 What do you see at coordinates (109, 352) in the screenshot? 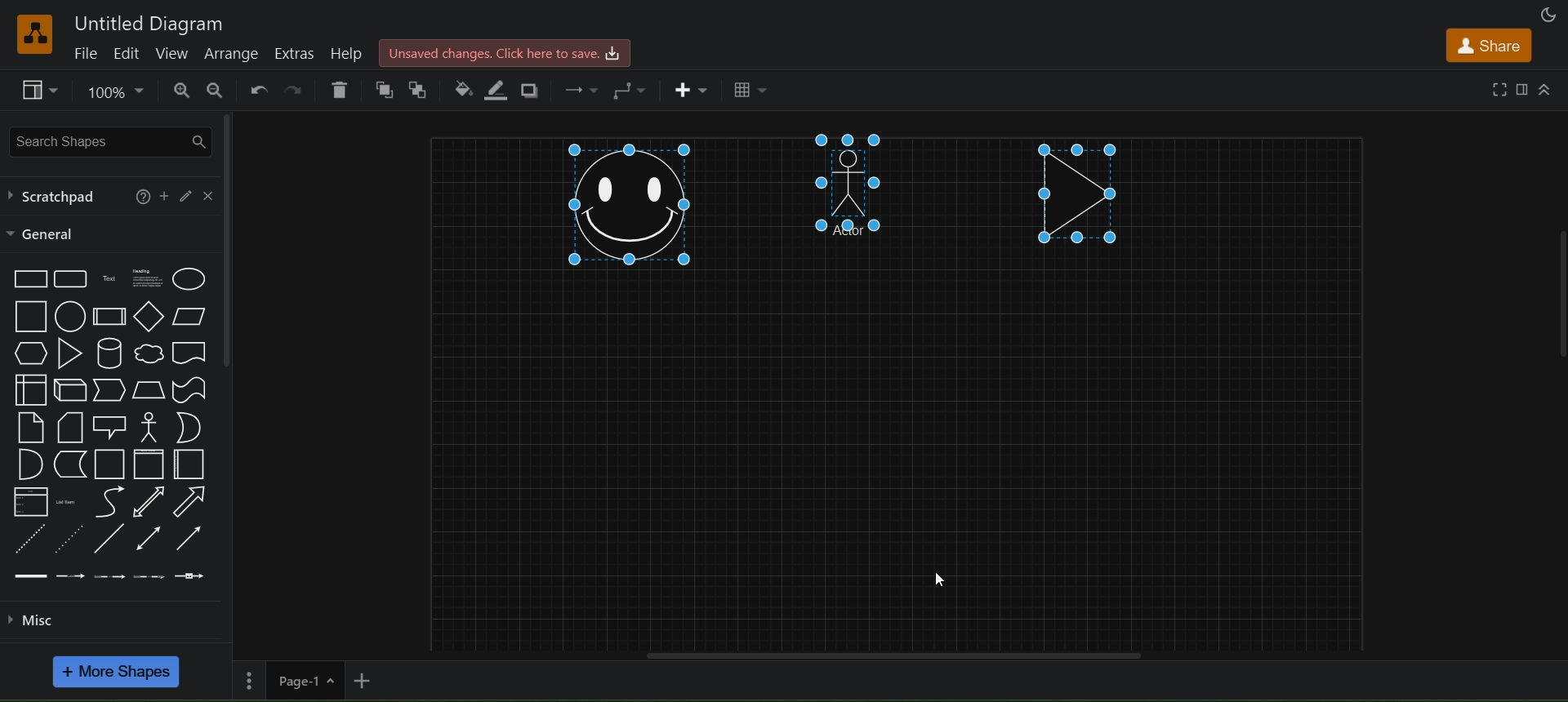
I see `cylinder` at bounding box center [109, 352].